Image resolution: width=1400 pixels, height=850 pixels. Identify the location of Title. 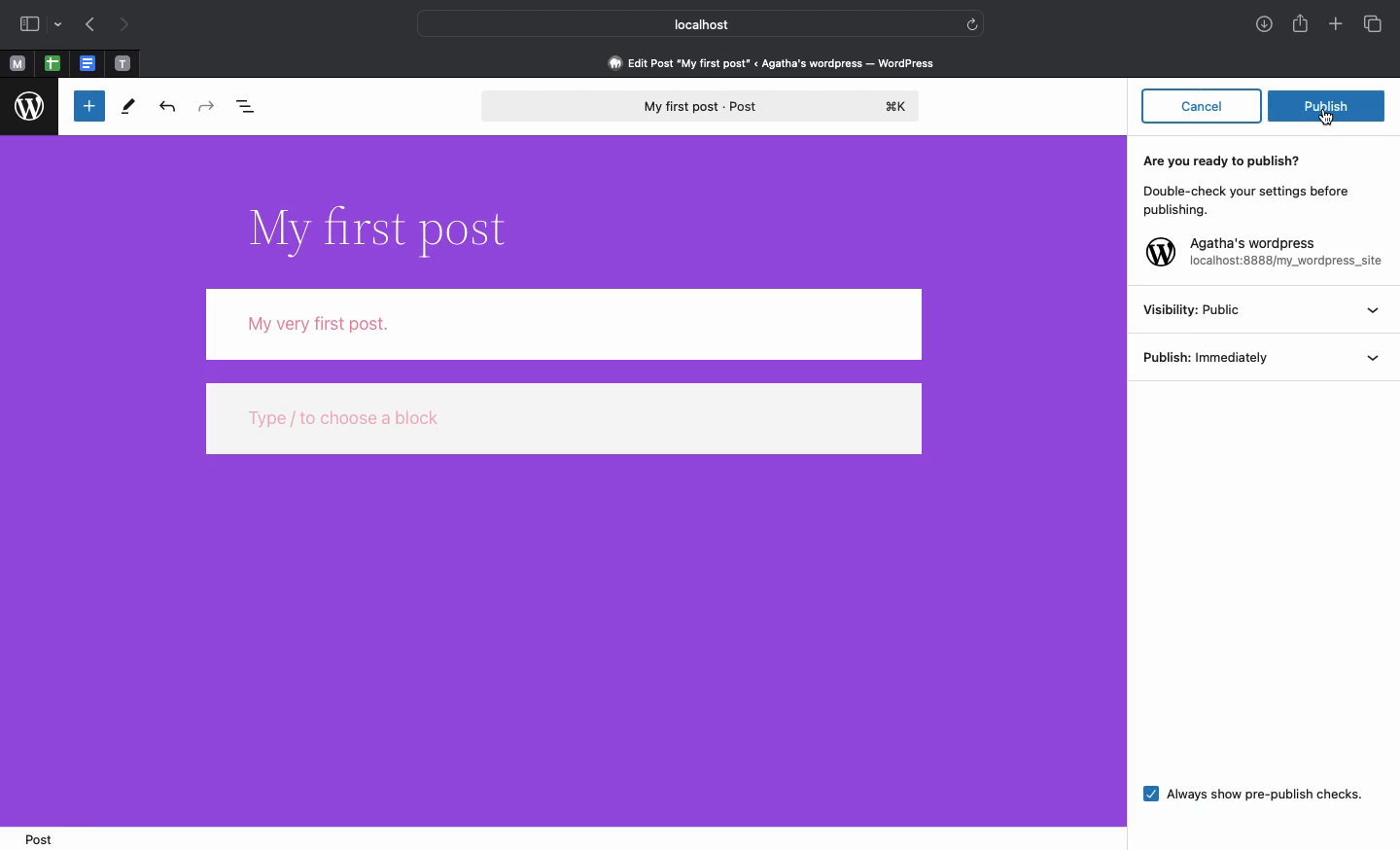
(389, 230).